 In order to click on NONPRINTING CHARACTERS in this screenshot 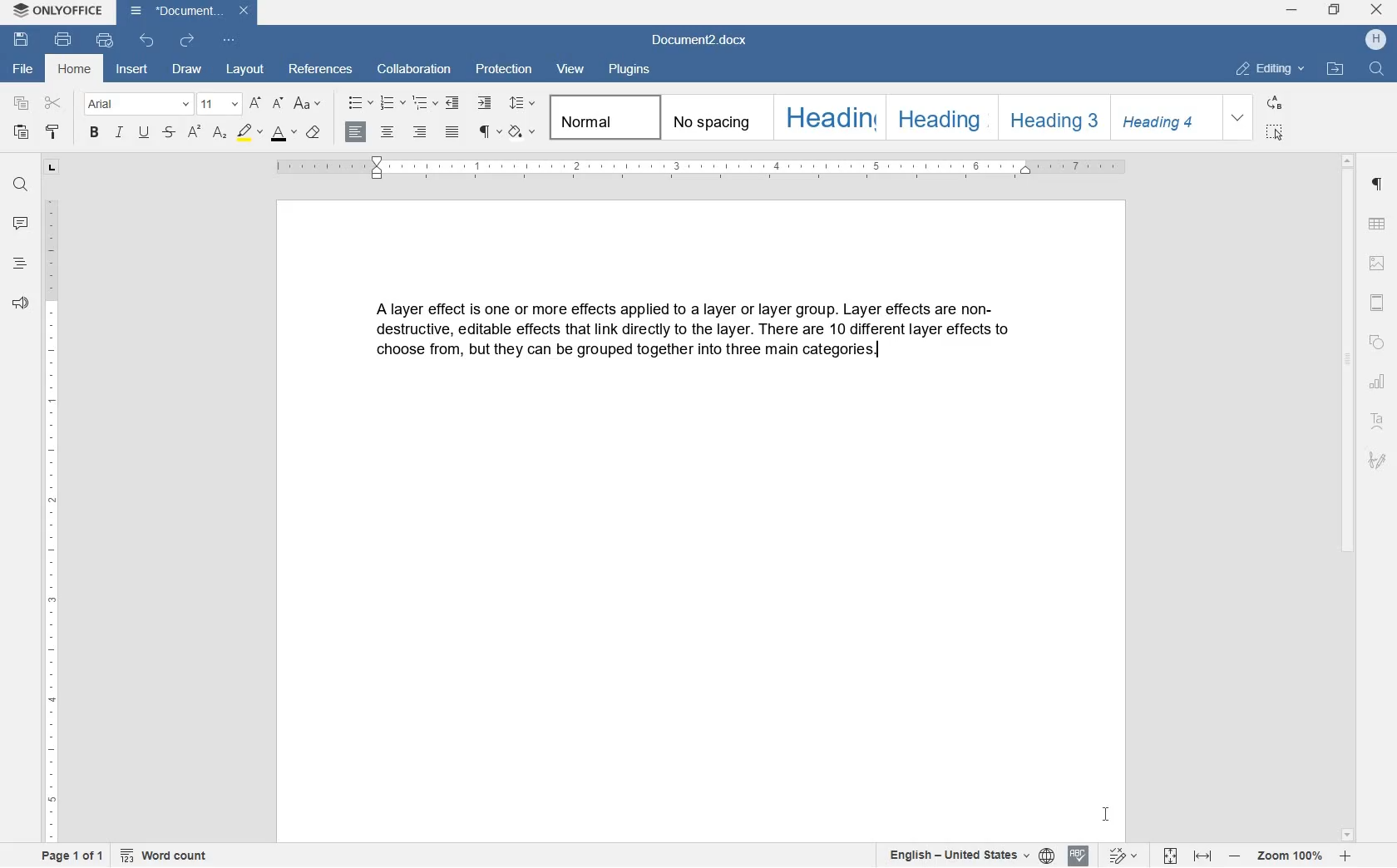, I will do `click(488, 132)`.